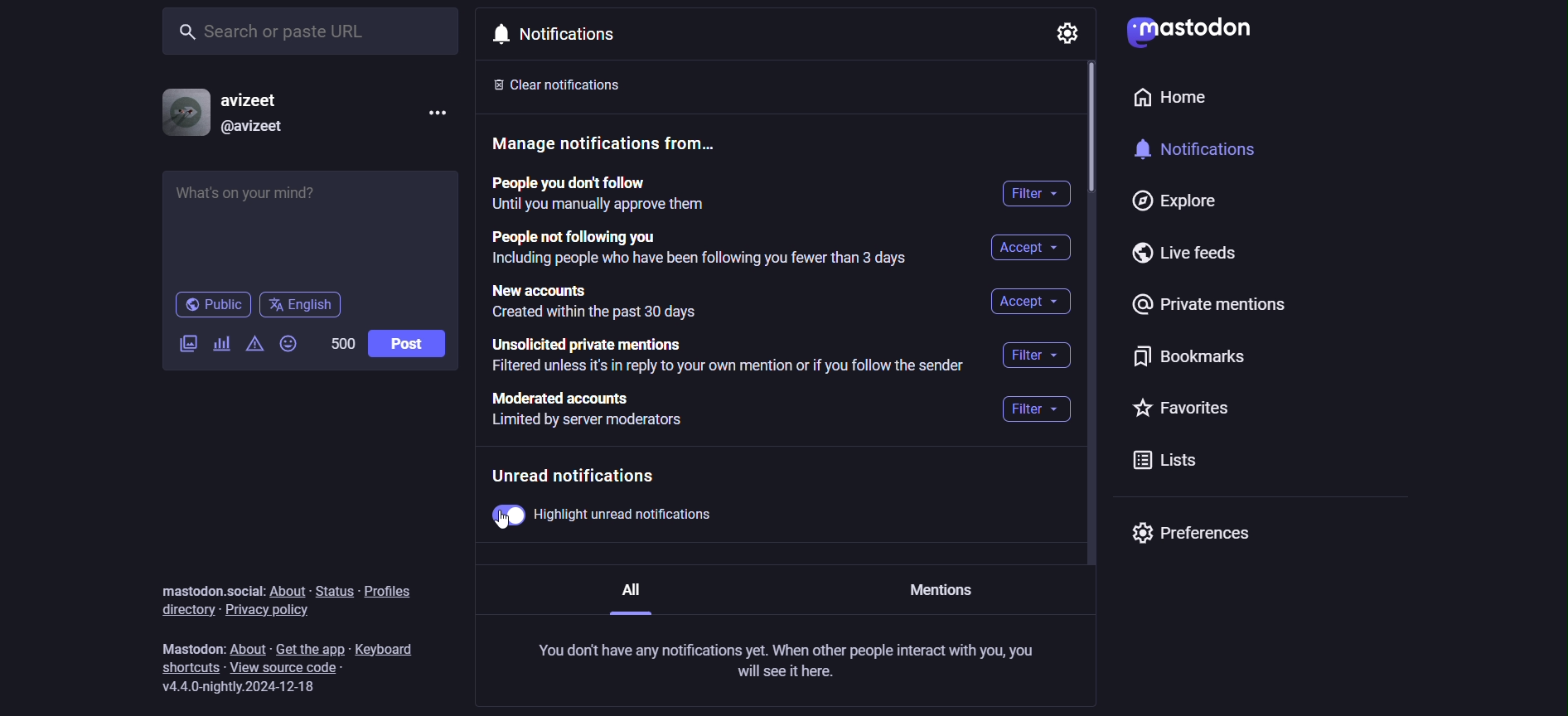 The width and height of the screenshot is (1568, 716). What do you see at coordinates (256, 101) in the screenshot?
I see `avizeet` at bounding box center [256, 101].